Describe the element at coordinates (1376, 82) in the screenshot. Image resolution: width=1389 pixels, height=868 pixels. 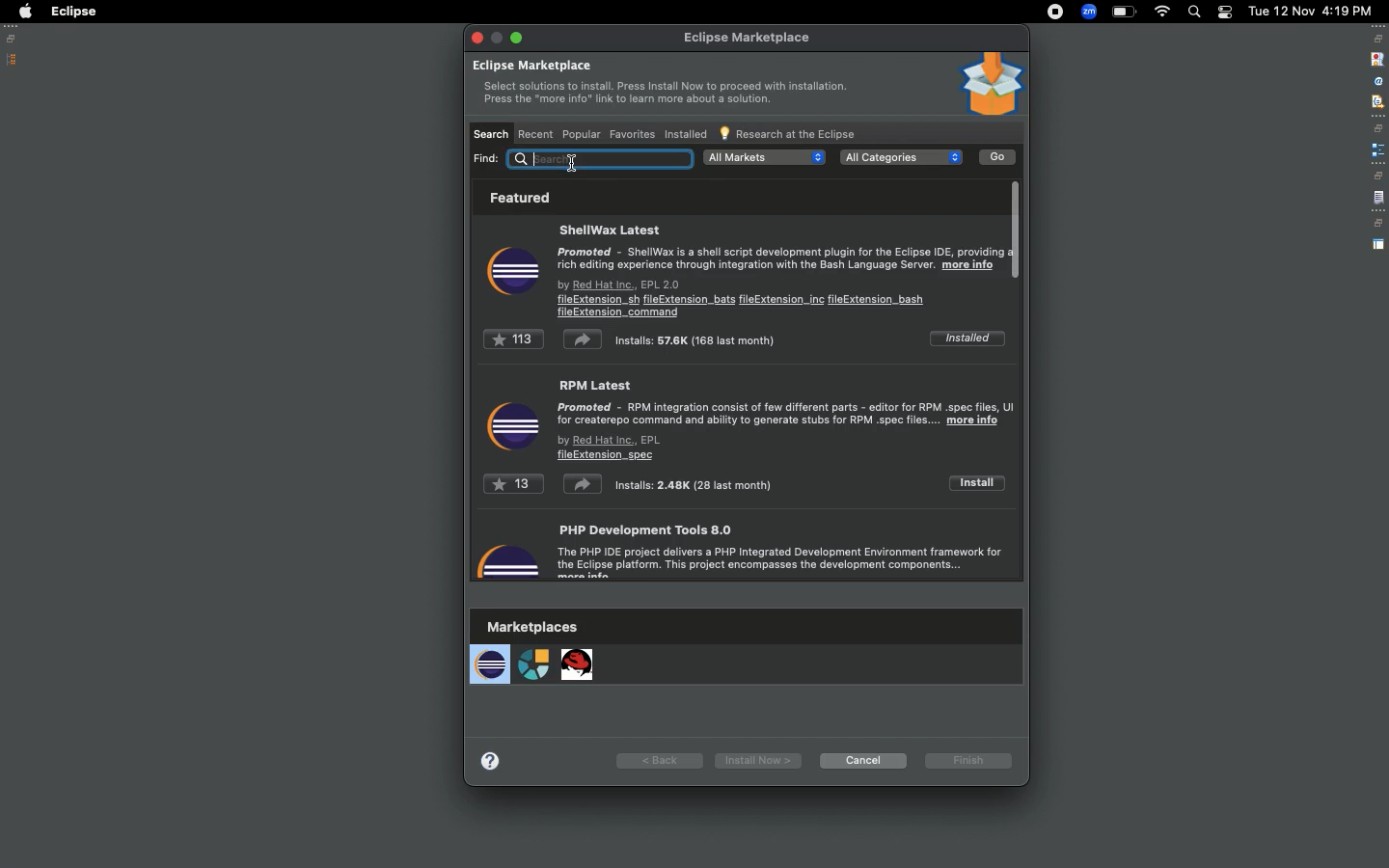
I see `attribute` at that location.